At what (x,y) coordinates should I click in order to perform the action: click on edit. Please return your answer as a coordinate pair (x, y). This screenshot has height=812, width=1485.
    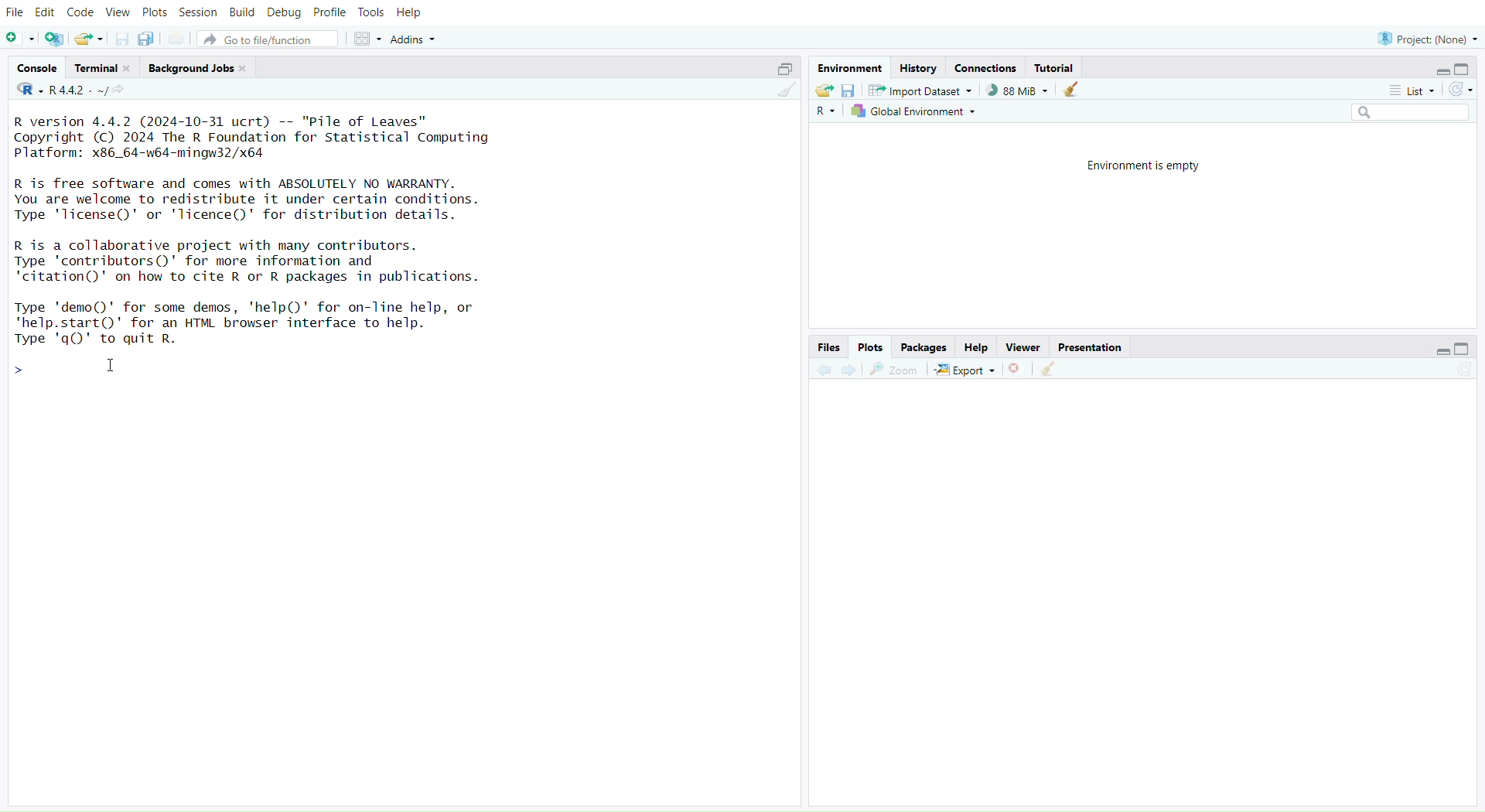
    Looking at the image, I should click on (46, 12).